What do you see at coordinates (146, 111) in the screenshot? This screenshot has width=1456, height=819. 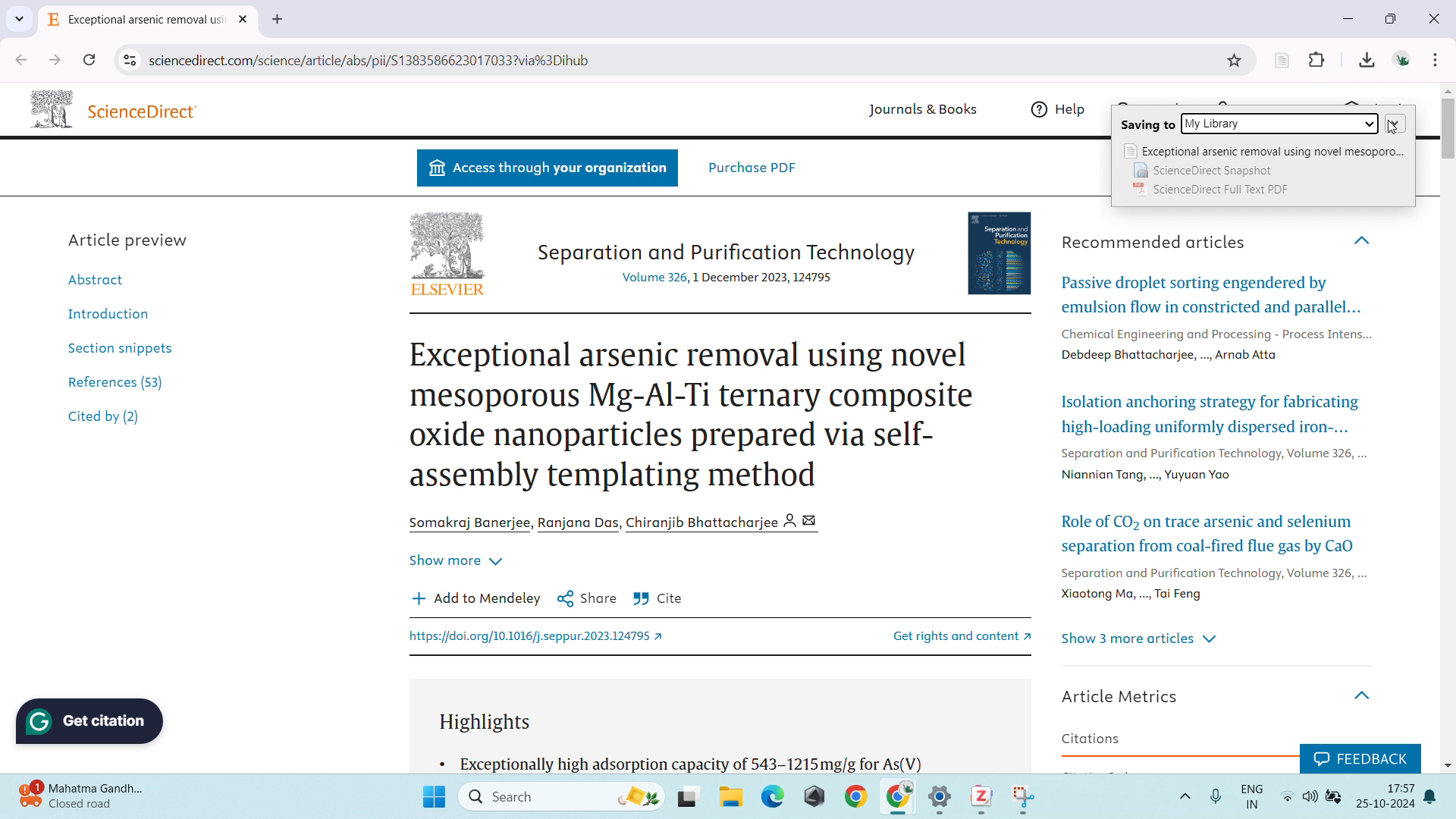 I see `ScienceDirect` at bounding box center [146, 111].